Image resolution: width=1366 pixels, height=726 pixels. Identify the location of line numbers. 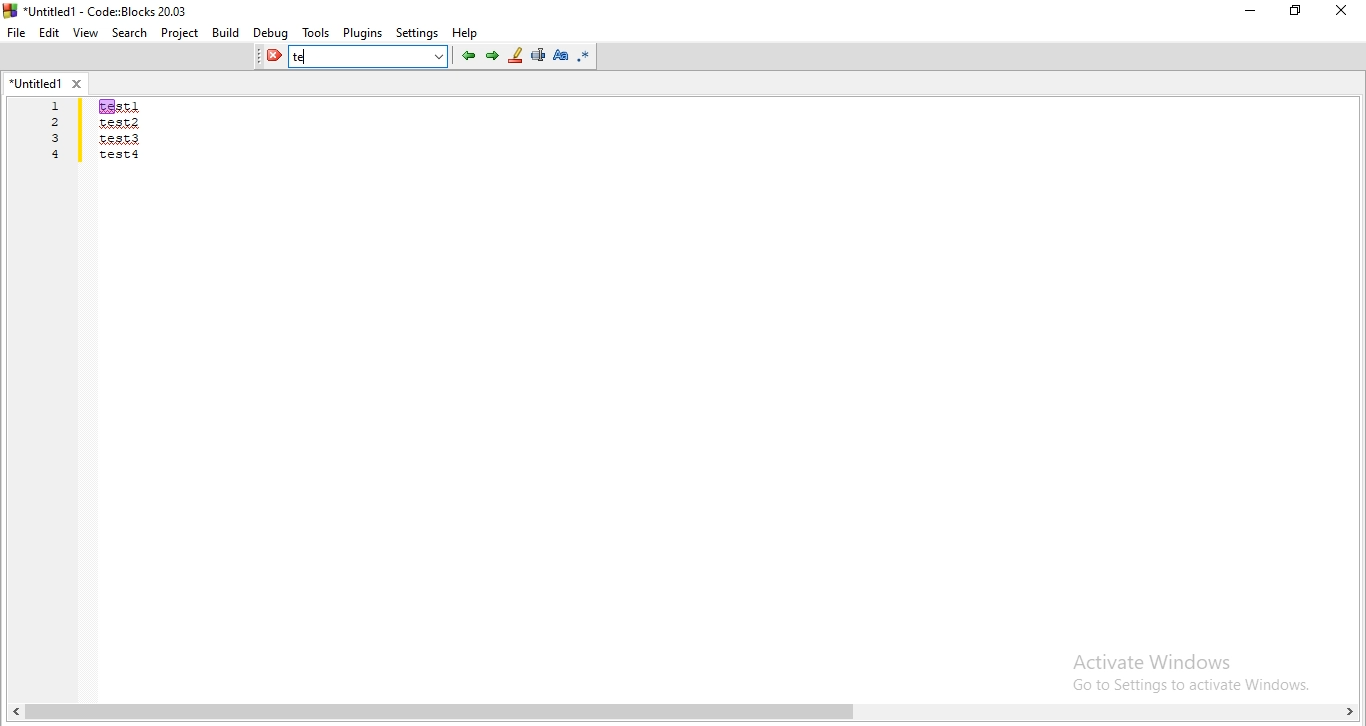
(57, 132).